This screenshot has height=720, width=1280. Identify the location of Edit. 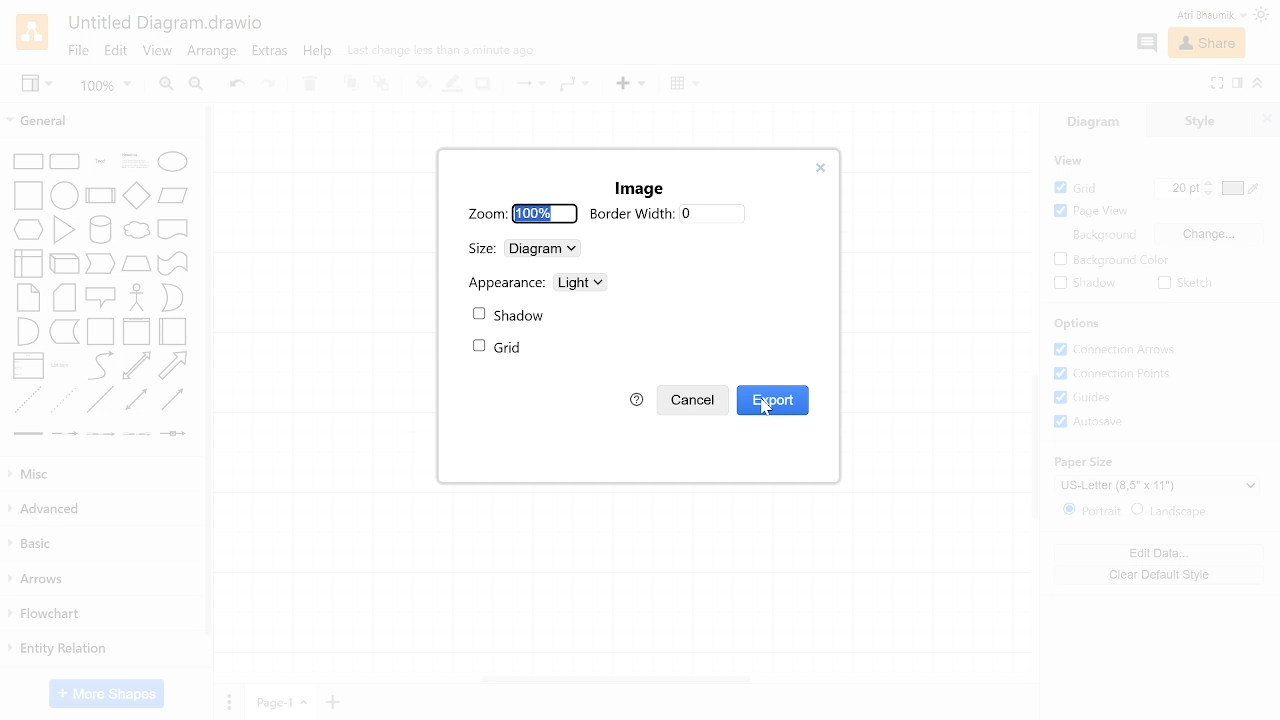
(117, 52).